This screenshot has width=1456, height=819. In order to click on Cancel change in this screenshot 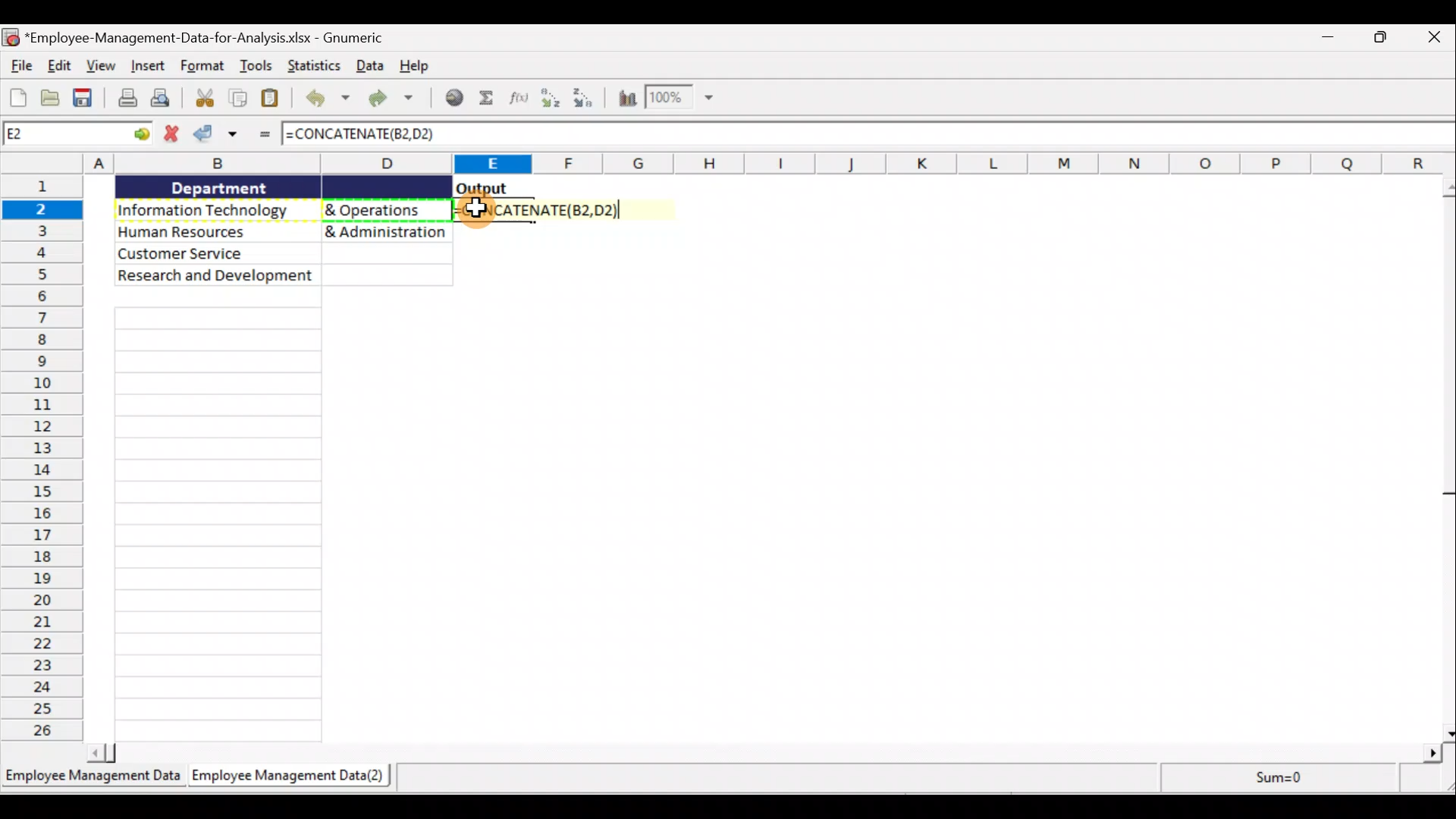, I will do `click(171, 136)`.